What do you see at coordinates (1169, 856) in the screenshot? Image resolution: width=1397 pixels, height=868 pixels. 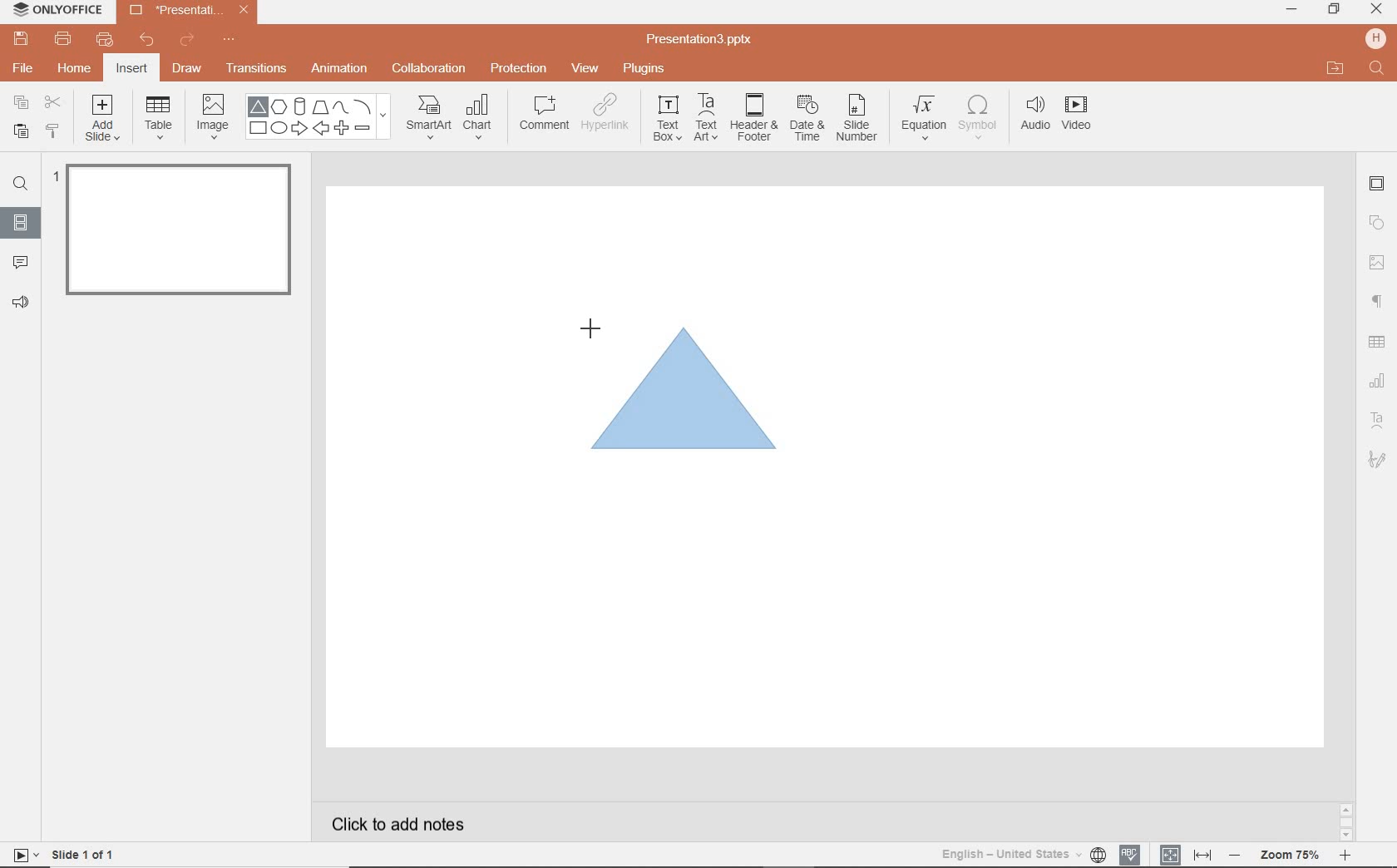 I see `FIT TO SLIDE` at bounding box center [1169, 856].